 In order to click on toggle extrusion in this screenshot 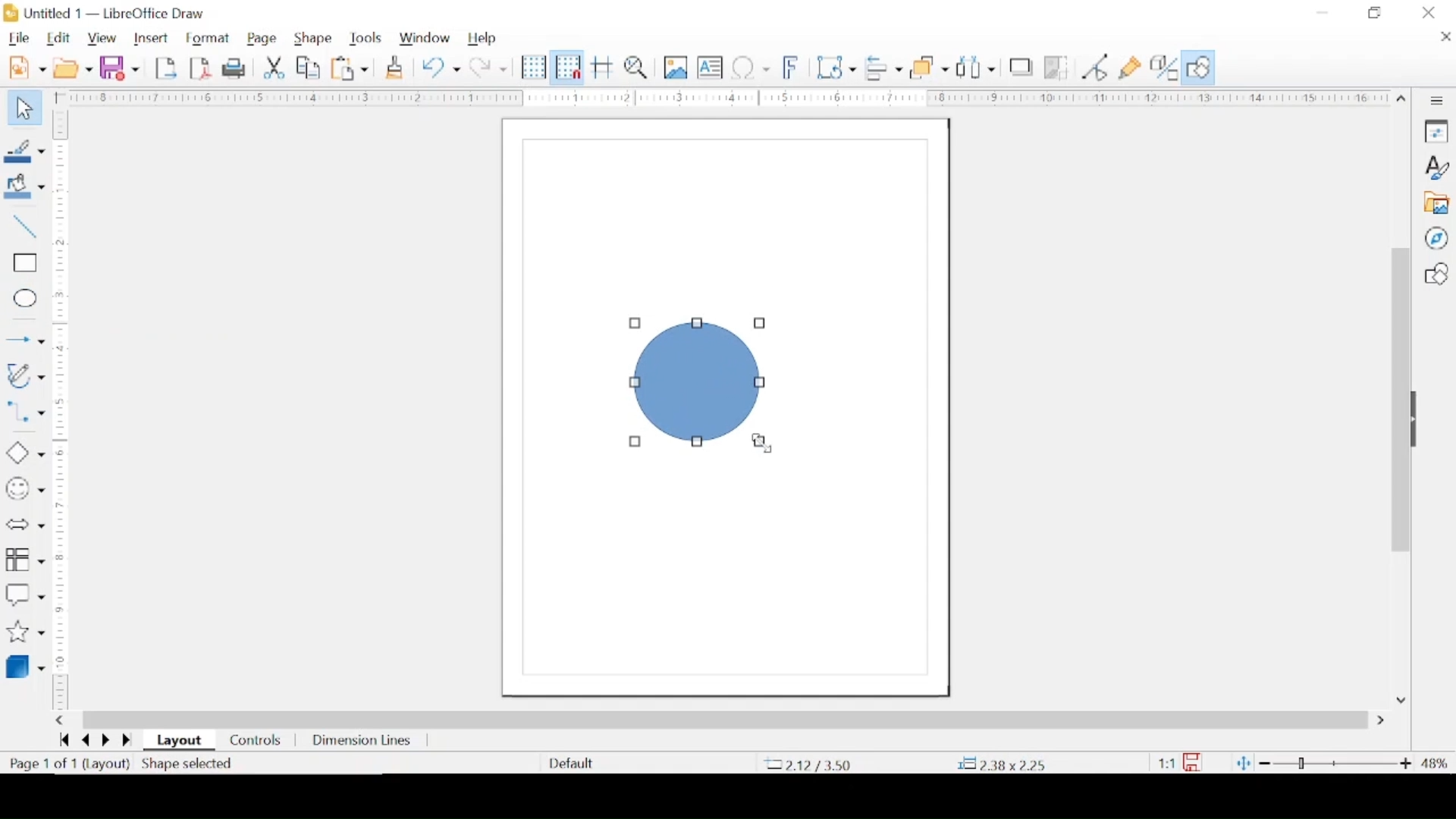, I will do `click(1165, 67)`.